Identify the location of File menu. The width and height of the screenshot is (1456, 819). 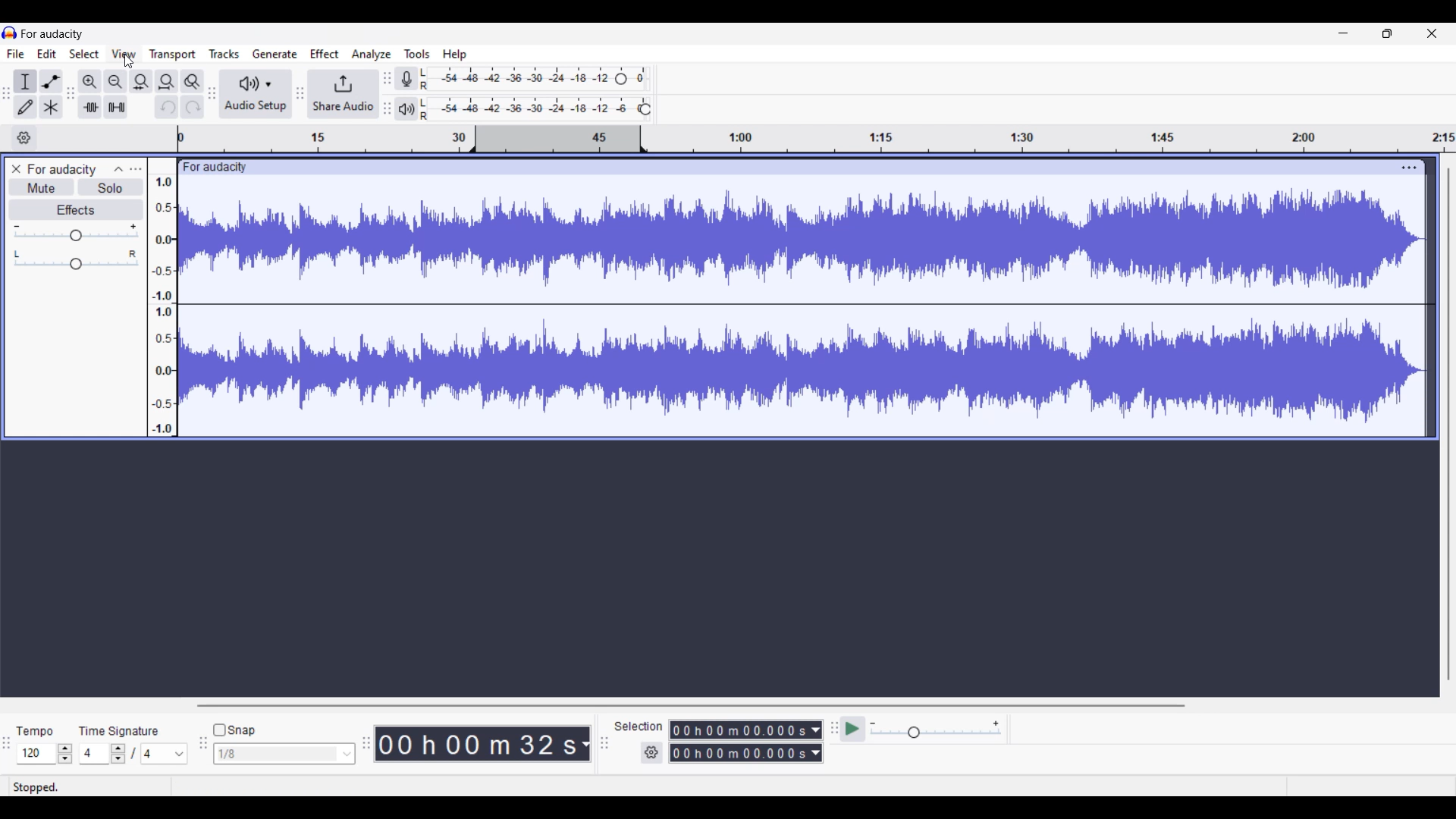
(16, 54).